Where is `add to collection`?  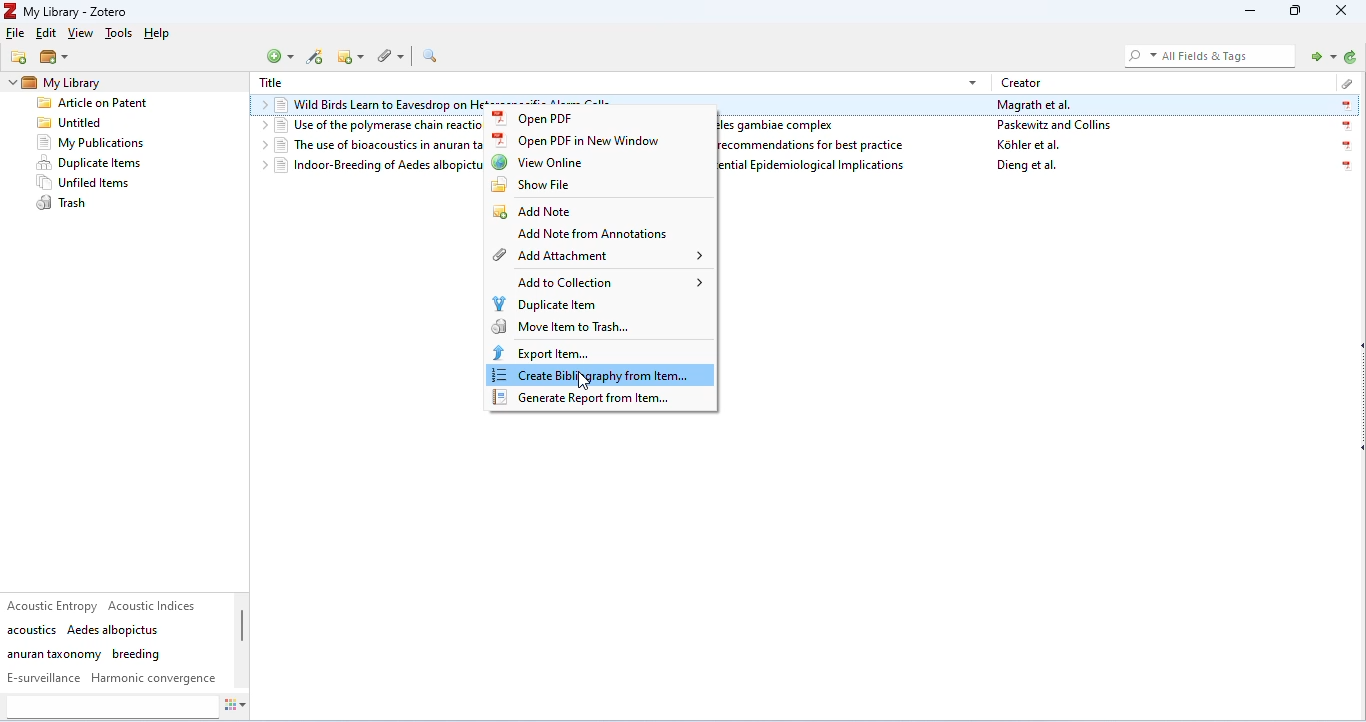
add to collection is located at coordinates (604, 282).